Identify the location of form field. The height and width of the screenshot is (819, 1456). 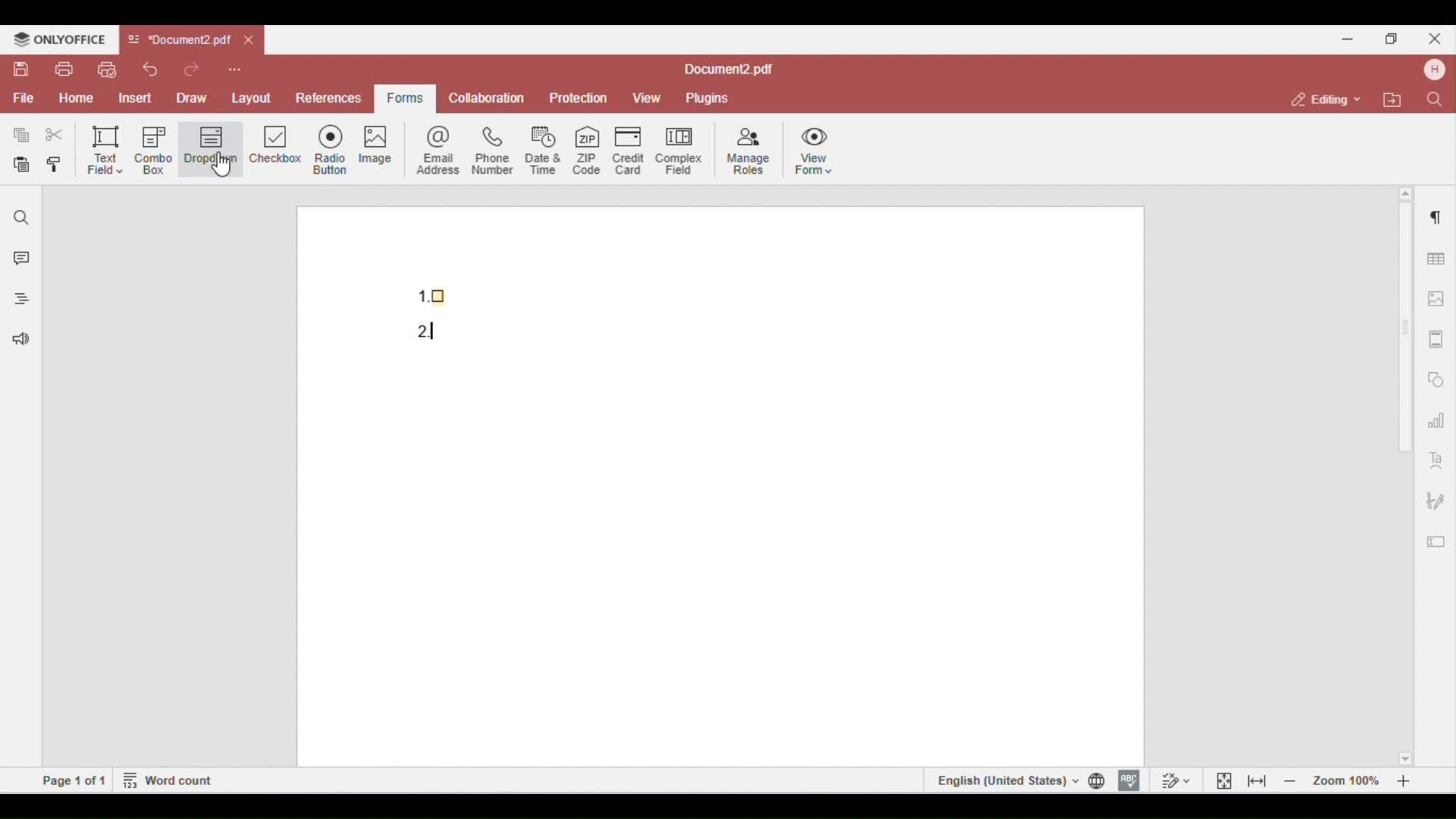
(433, 329).